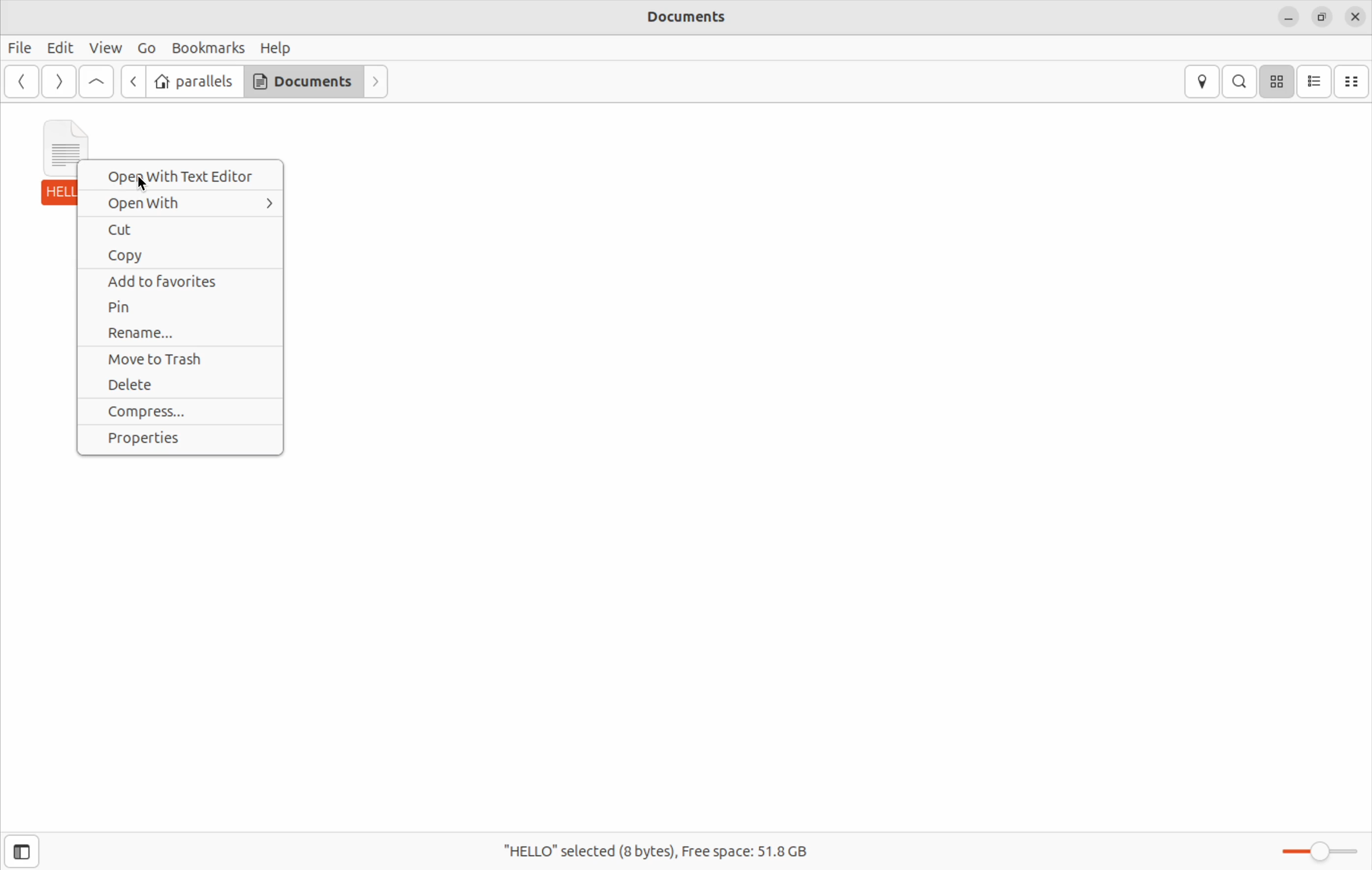 This screenshot has width=1372, height=870. Describe the element at coordinates (148, 185) in the screenshot. I see `cursor` at that location.